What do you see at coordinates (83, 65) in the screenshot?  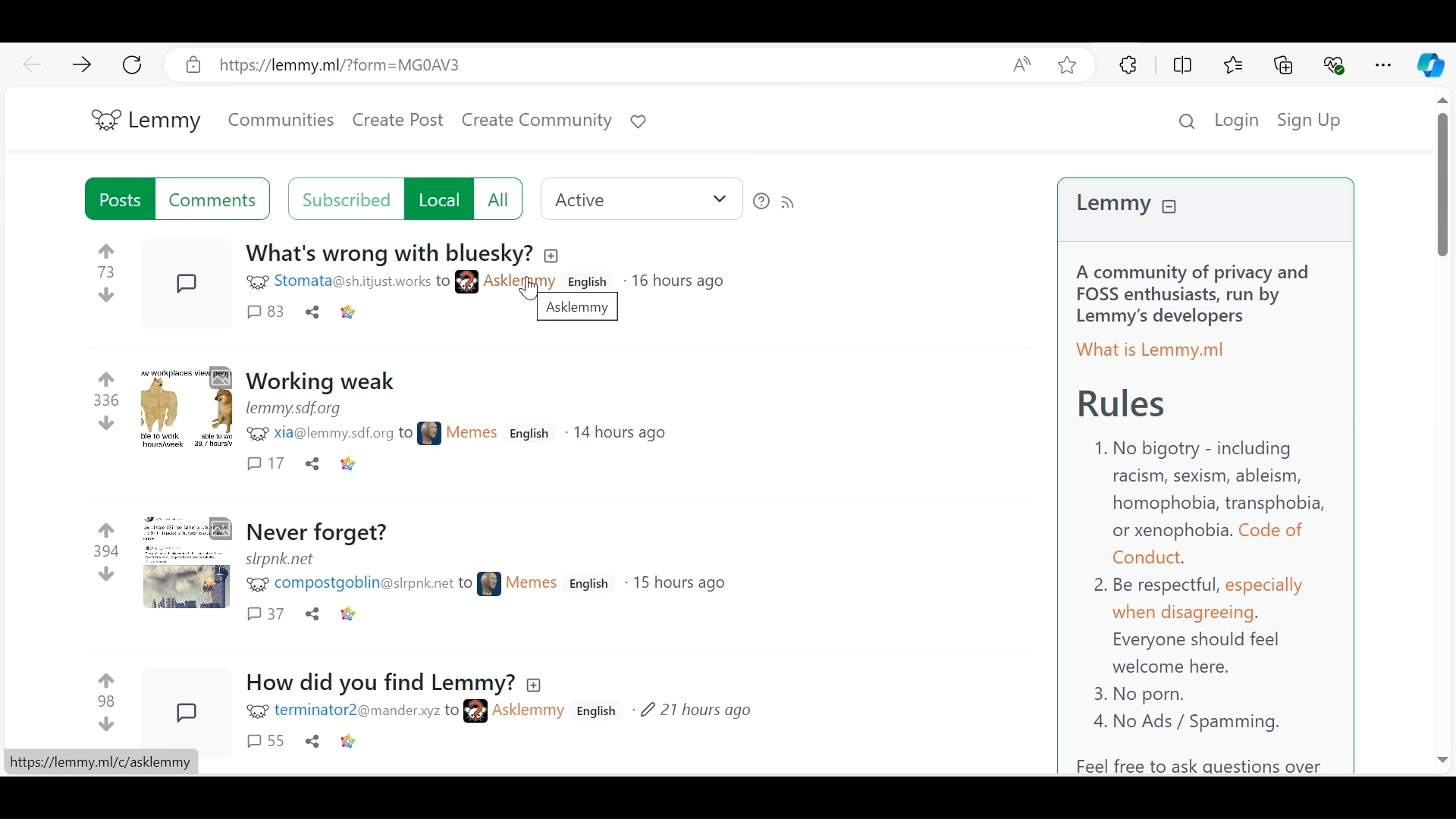 I see `Go Forward` at bounding box center [83, 65].